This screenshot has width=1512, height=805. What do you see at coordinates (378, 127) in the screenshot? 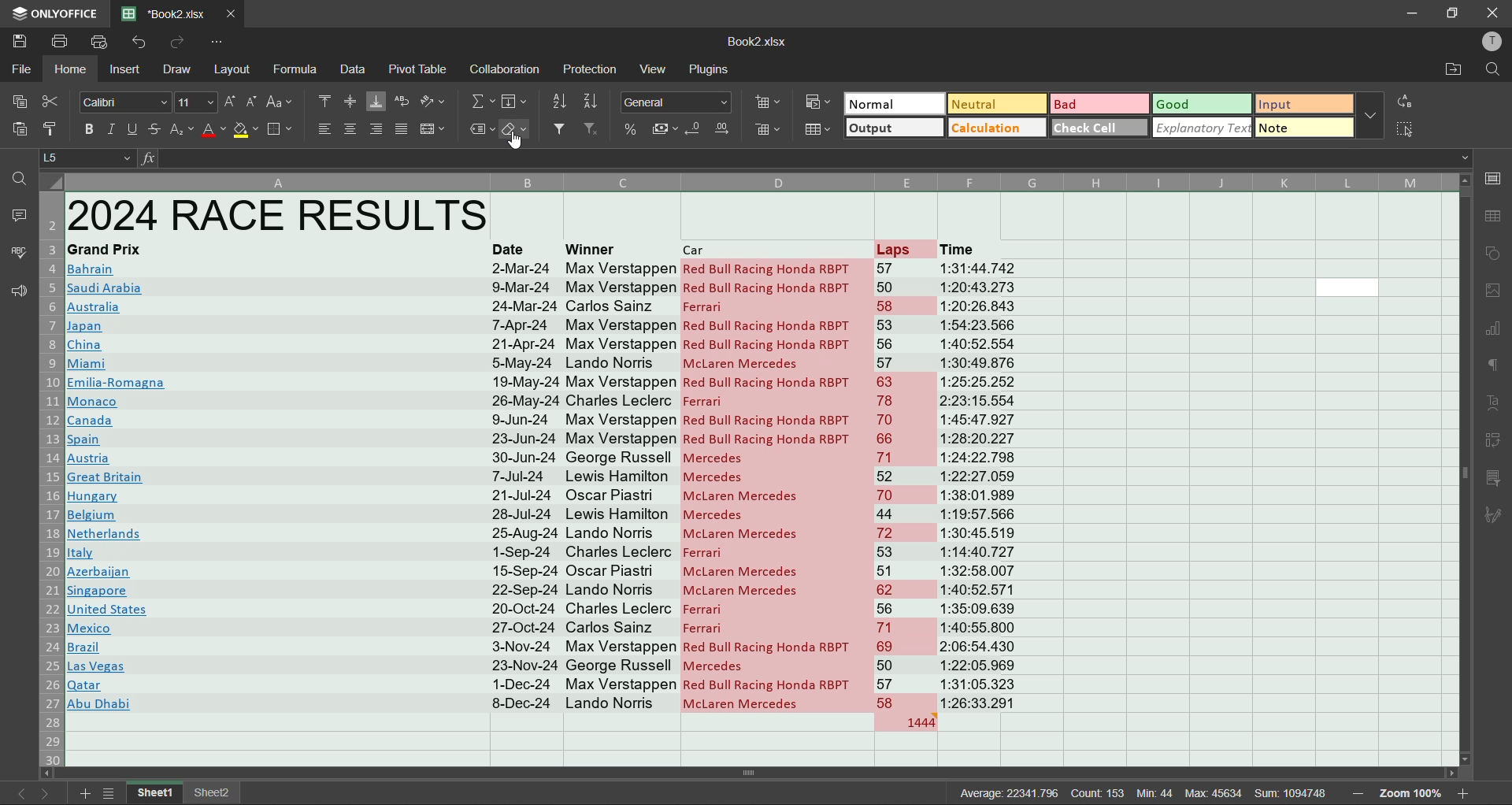
I see `align right` at bounding box center [378, 127].